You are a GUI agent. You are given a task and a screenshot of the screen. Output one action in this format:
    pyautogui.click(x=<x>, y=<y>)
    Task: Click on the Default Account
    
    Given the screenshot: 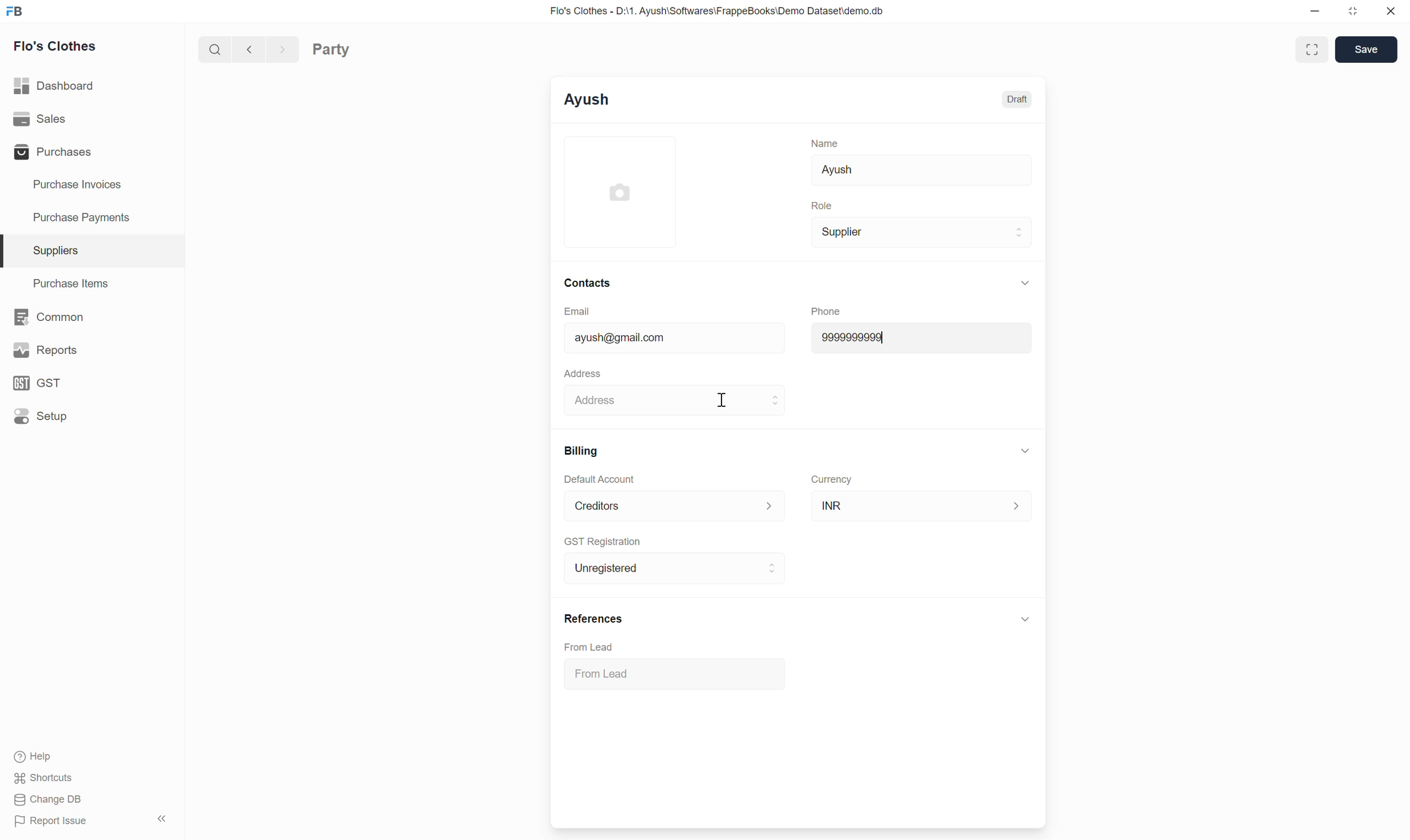 What is the action you would take?
    pyautogui.click(x=676, y=506)
    